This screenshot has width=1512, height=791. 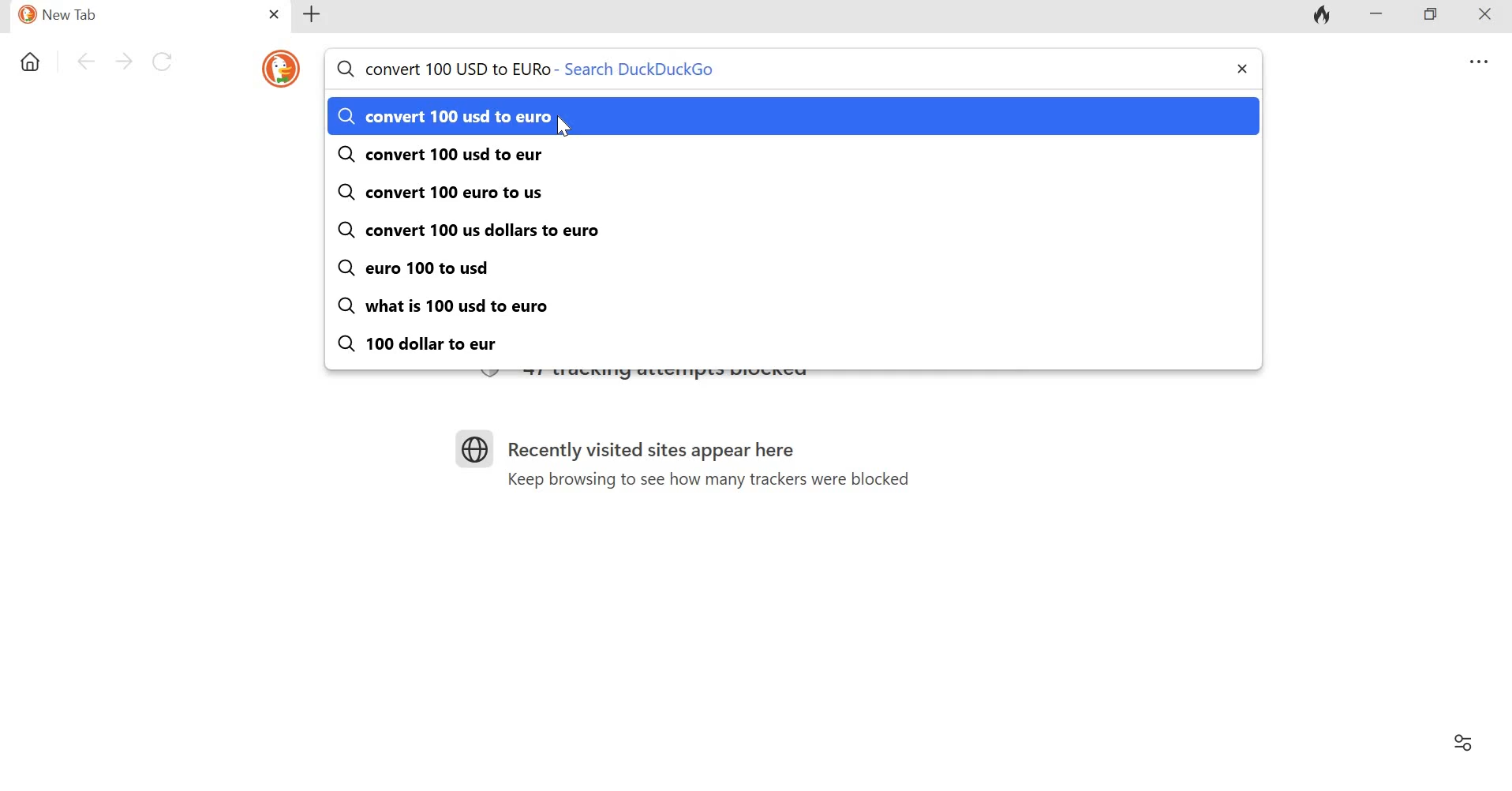 I want to click on convert 100 euro to us, so click(x=440, y=192).